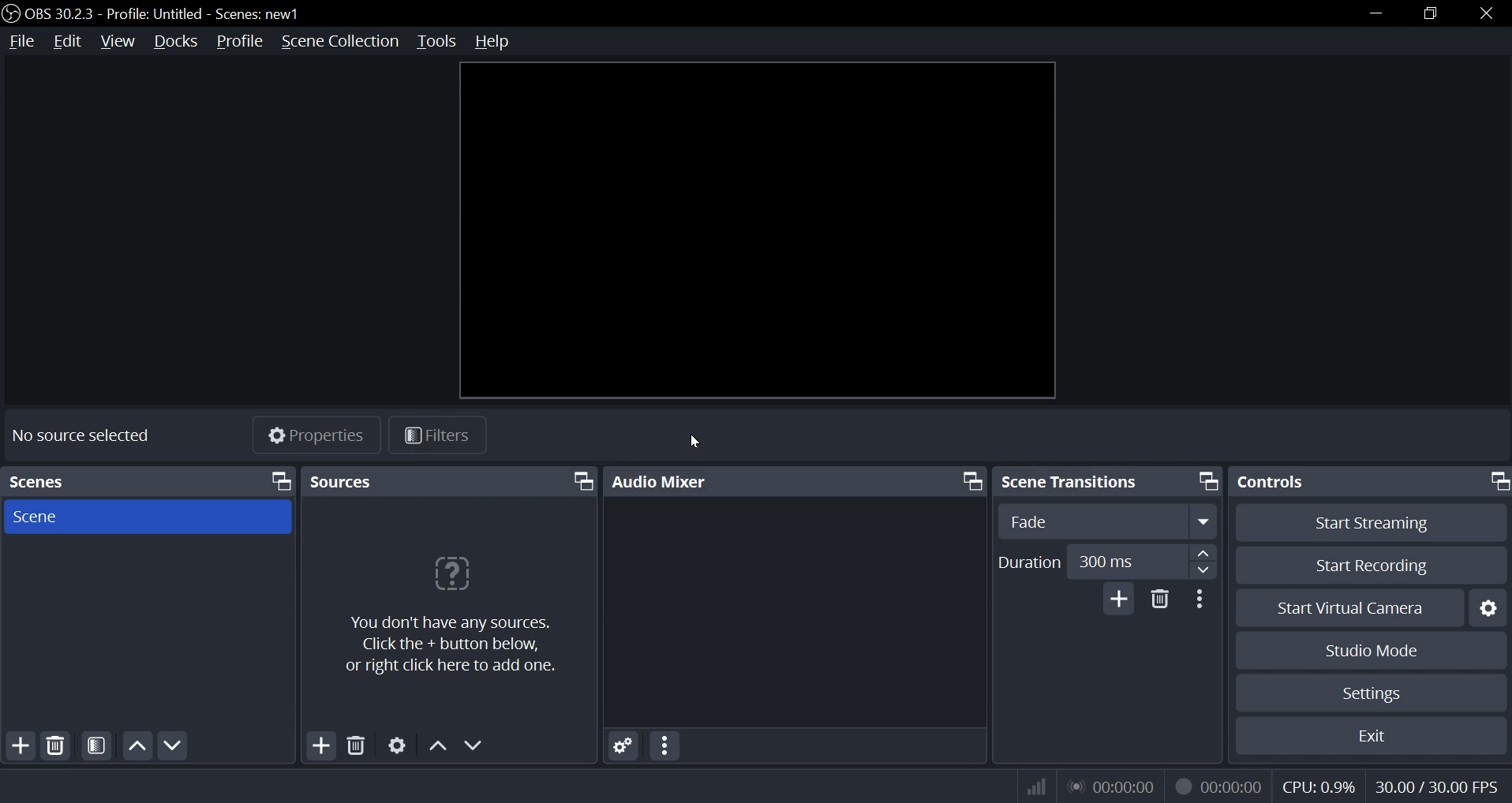 This screenshot has width=1512, height=803. I want to click on more, so click(1203, 599).